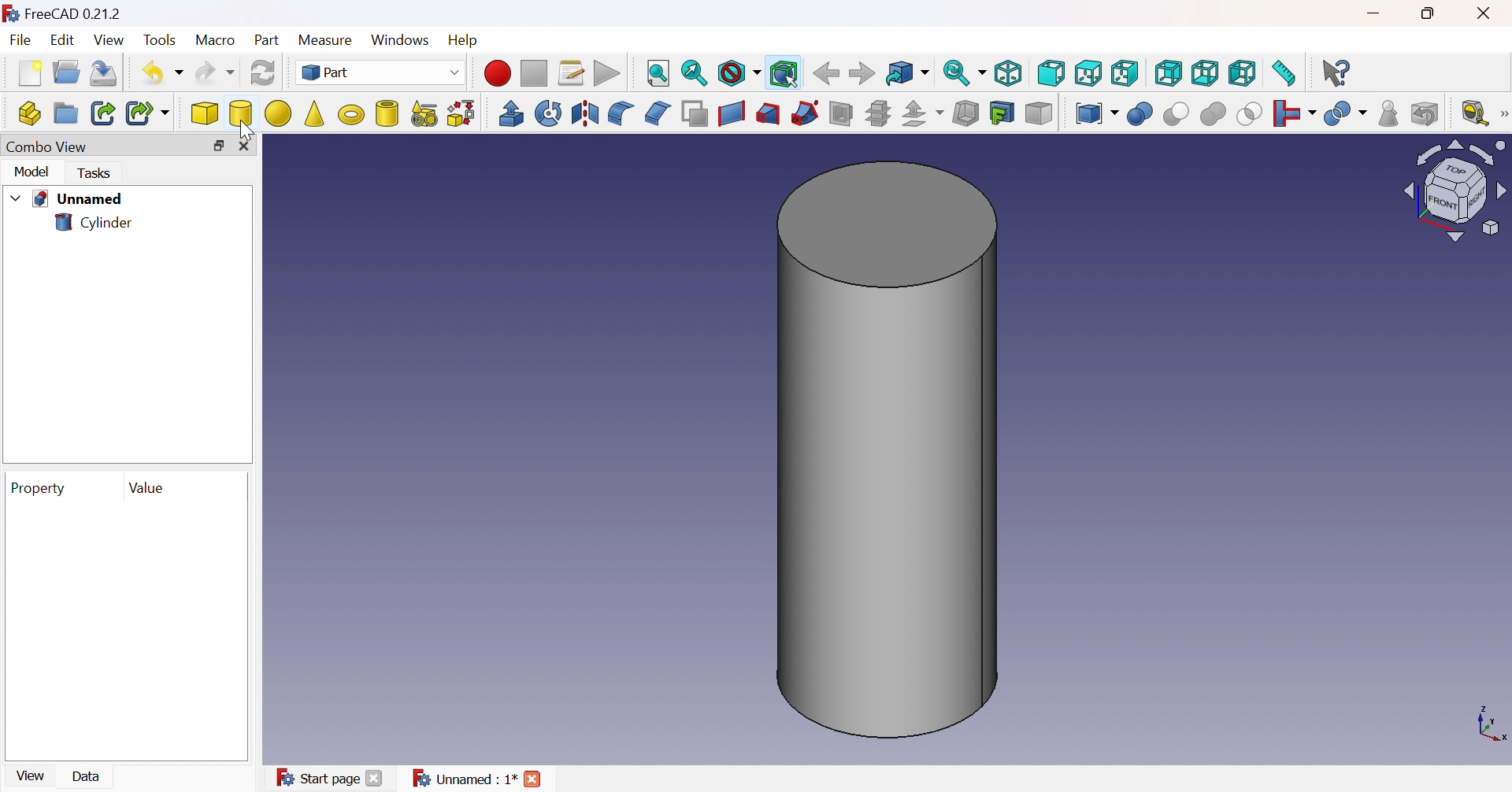 The height and width of the screenshot is (792, 1512). What do you see at coordinates (965, 76) in the screenshot?
I see `Sync view` at bounding box center [965, 76].